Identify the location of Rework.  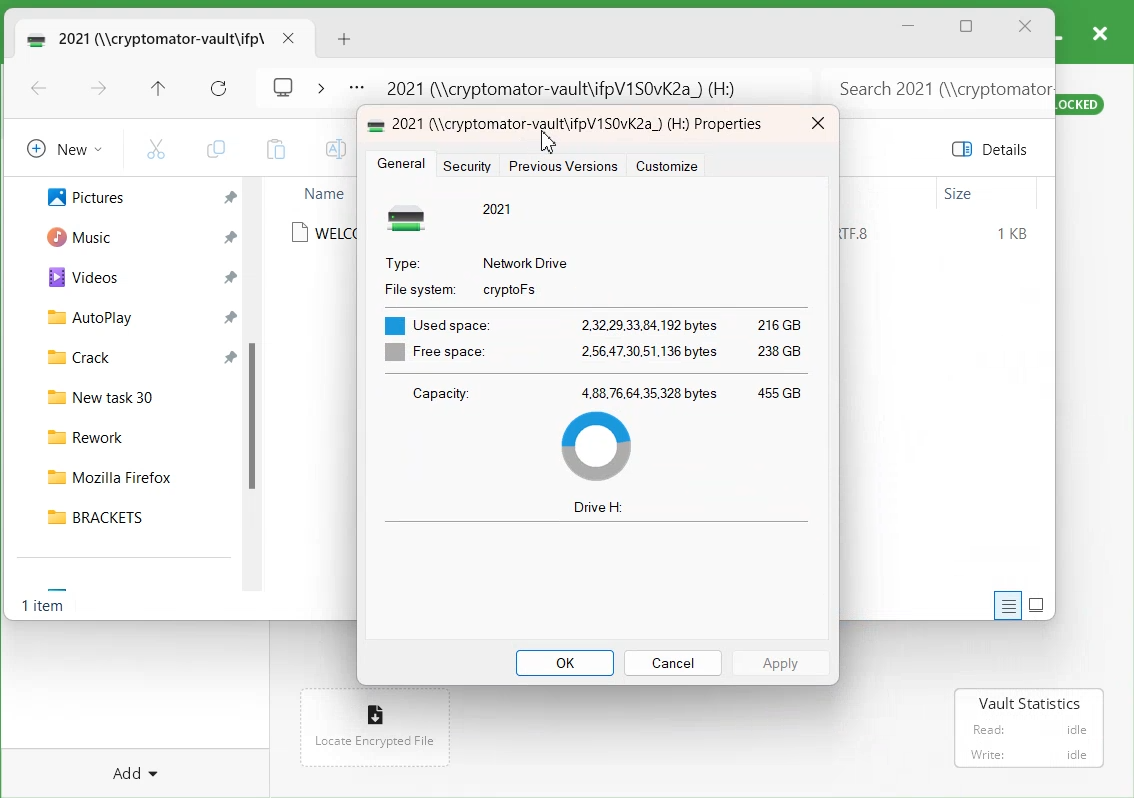
(132, 434).